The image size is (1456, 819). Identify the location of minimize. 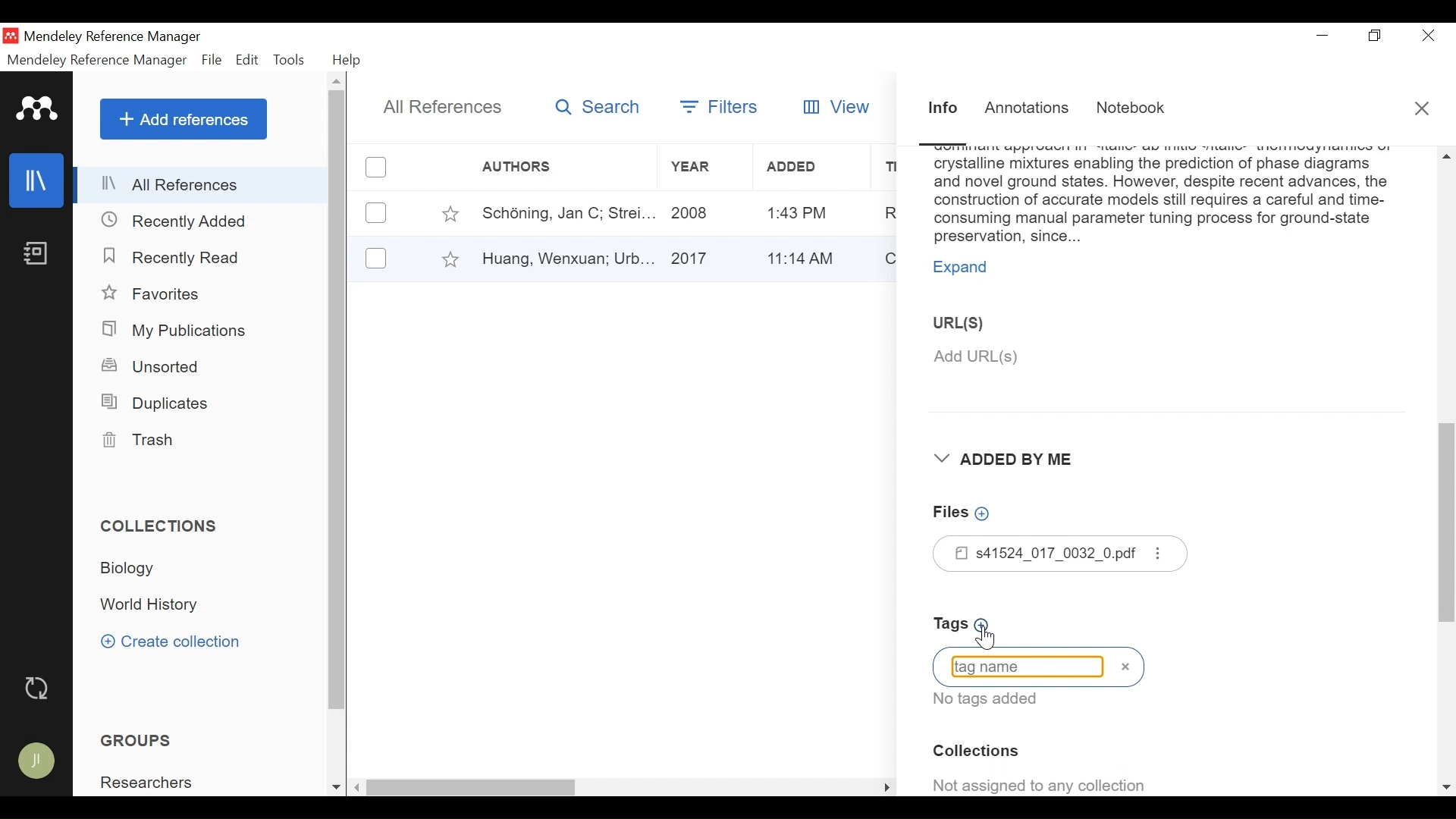
(1323, 36).